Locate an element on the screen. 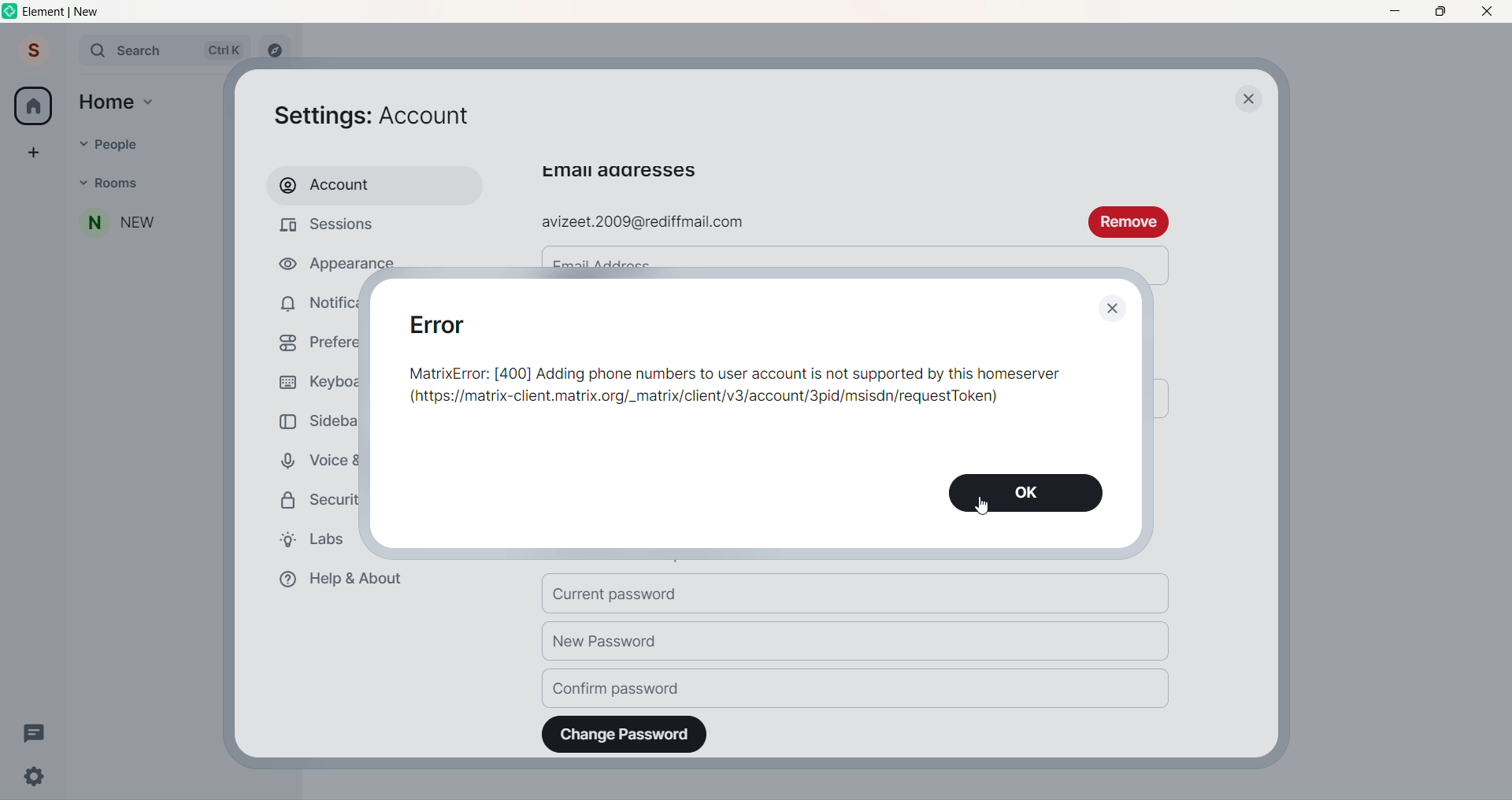  Dropdown is located at coordinates (79, 143).